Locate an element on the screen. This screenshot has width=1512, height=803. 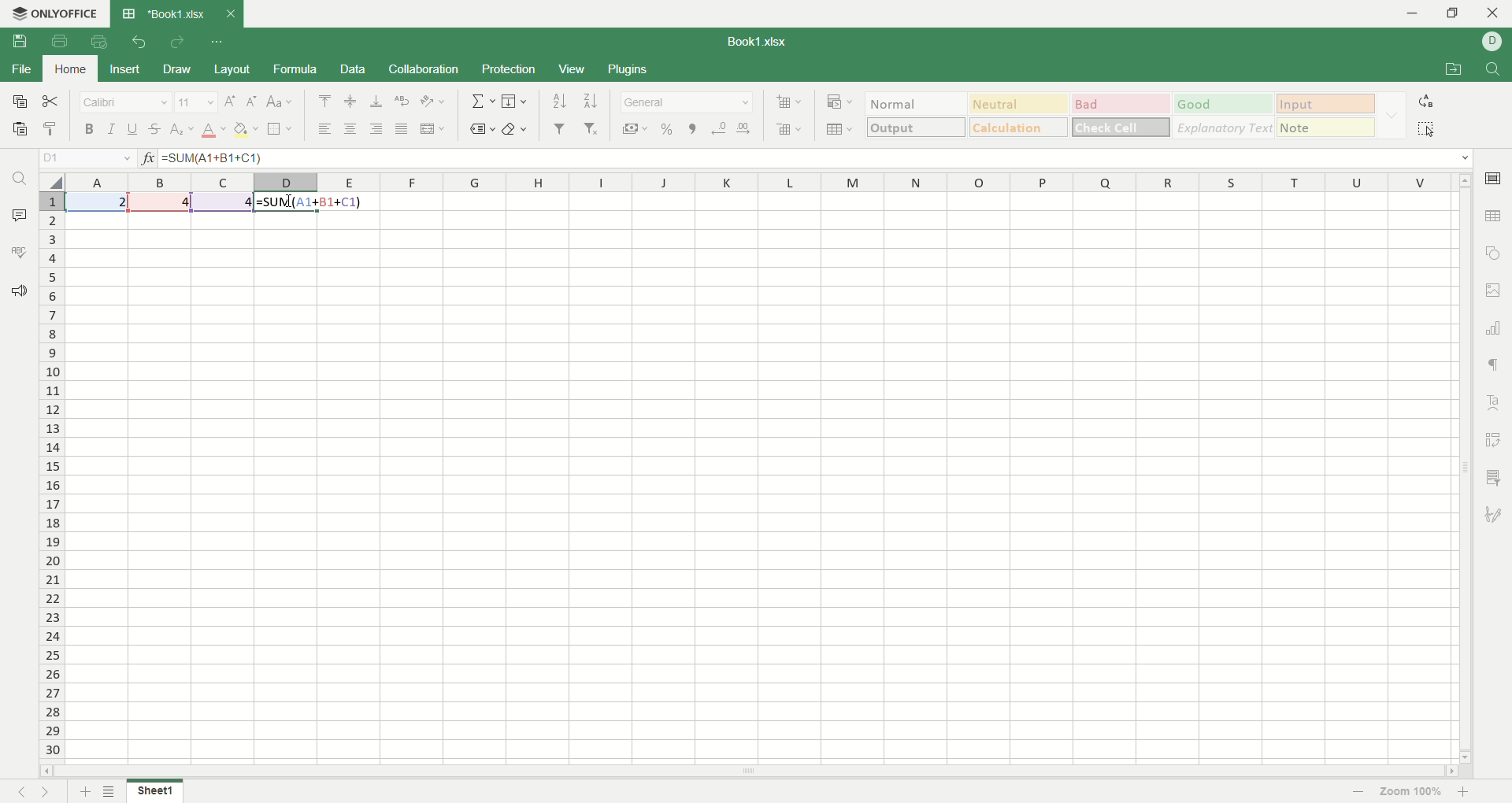
account is located at coordinates (1492, 43).